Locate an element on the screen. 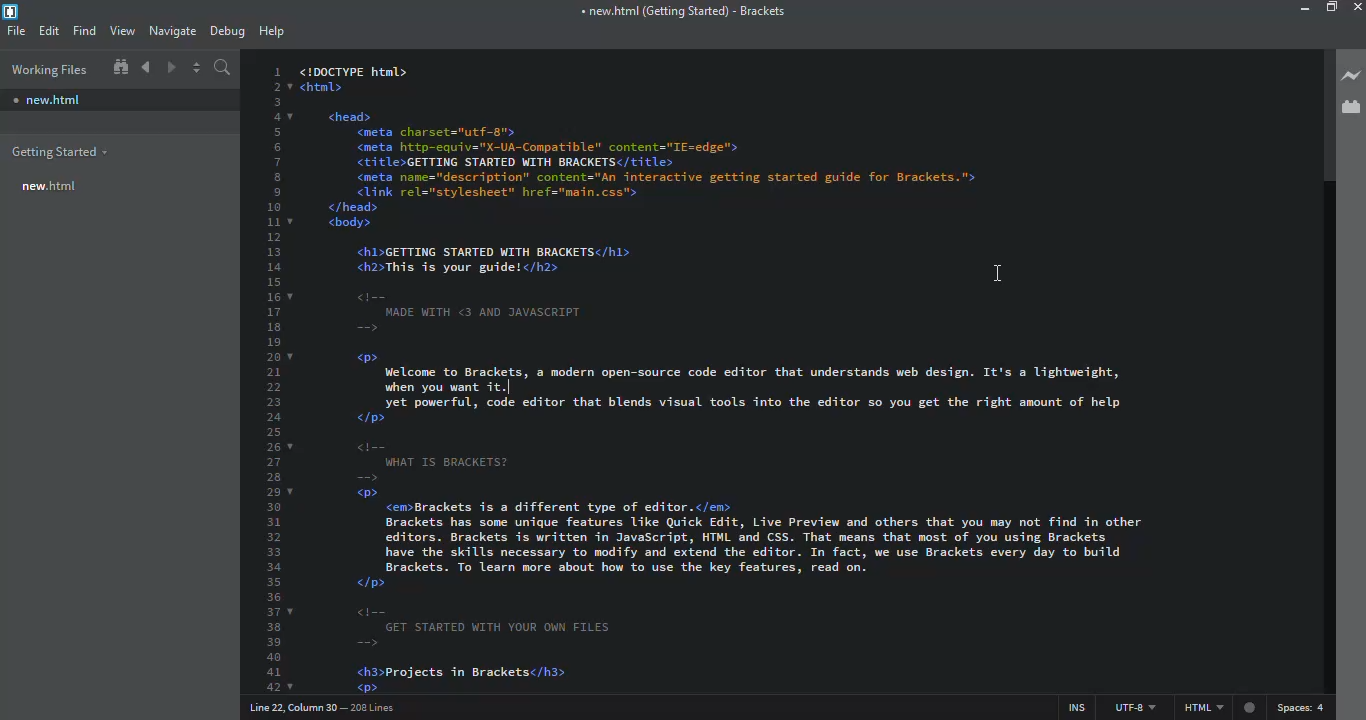  navigate is located at coordinates (175, 30).